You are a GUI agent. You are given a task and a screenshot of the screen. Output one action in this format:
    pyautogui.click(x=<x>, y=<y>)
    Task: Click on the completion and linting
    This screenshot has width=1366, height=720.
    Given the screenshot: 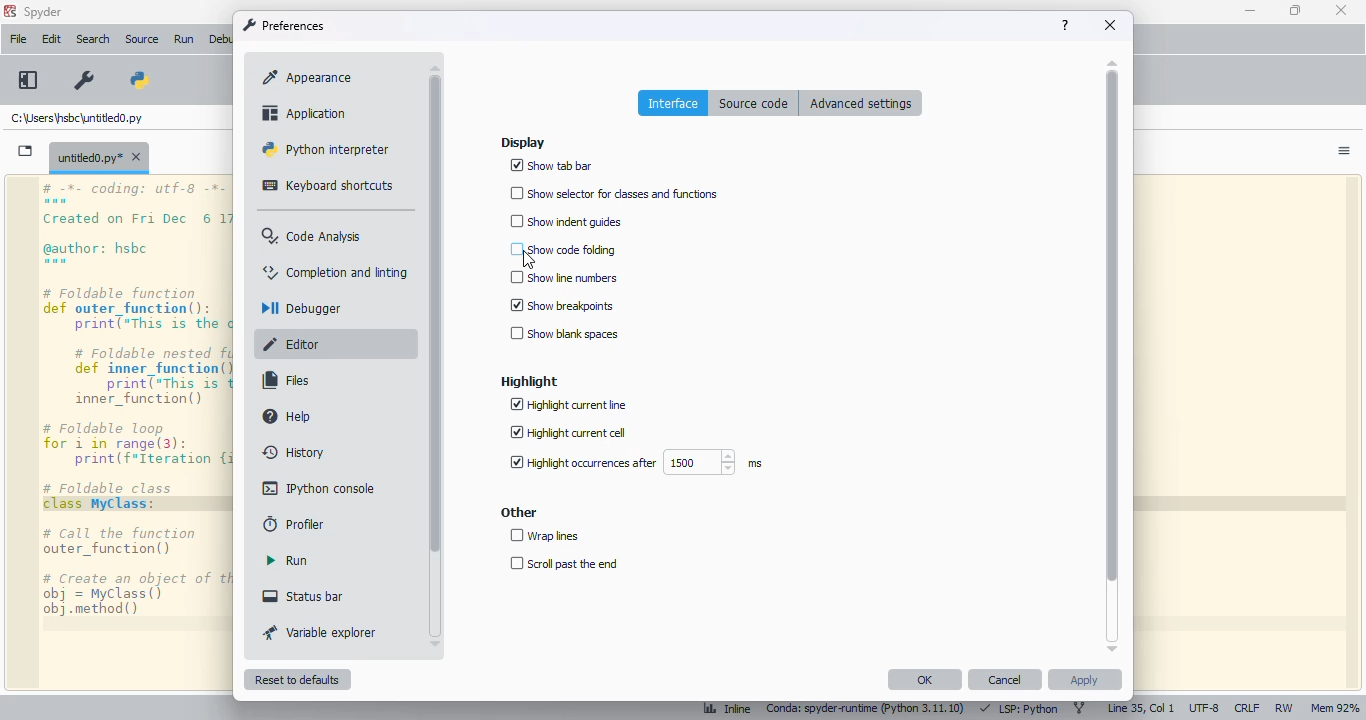 What is the action you would take?
    pyautogui.click(x=333, y=272)
    